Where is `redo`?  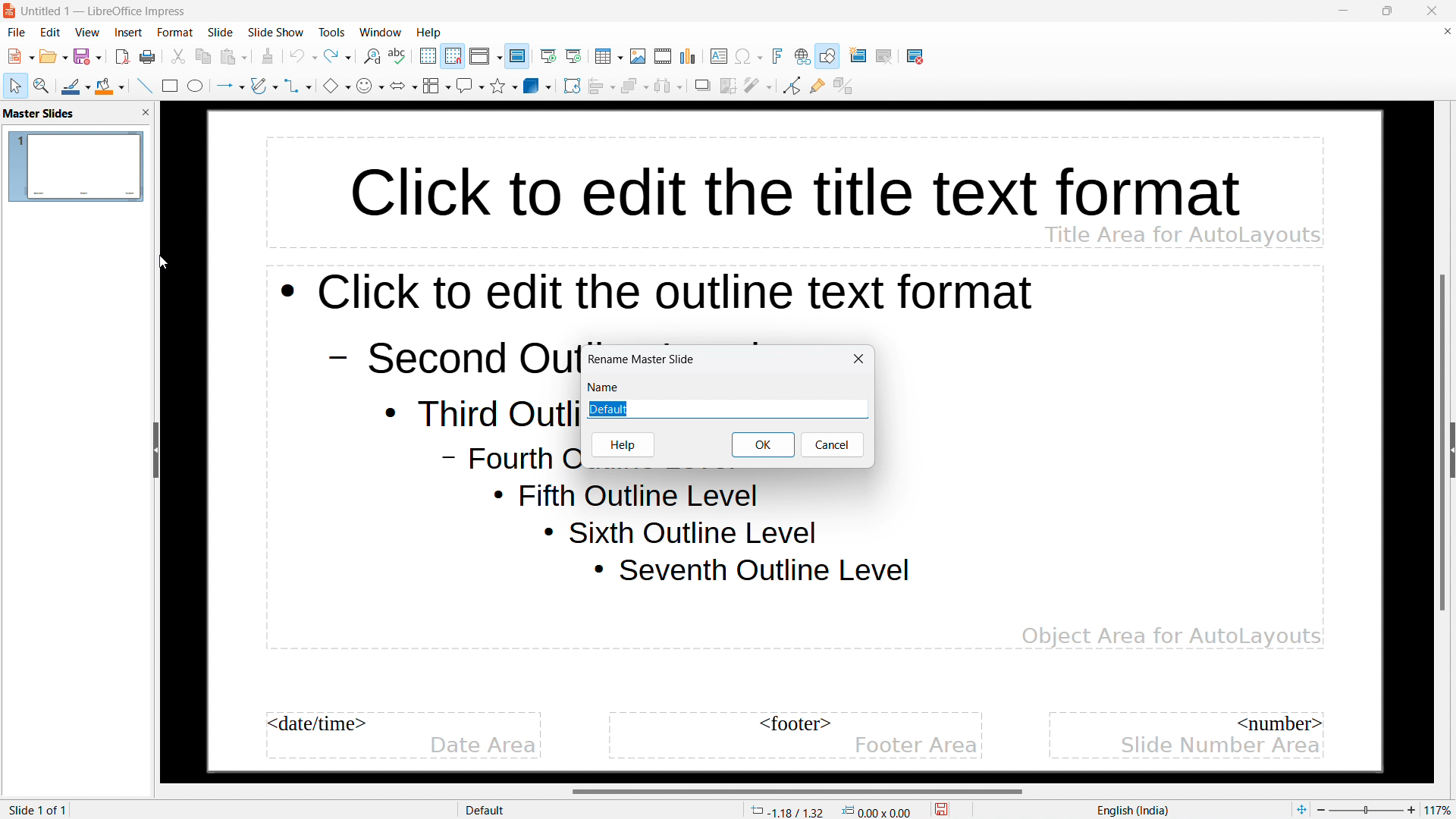 redo is located at coordinates (337, 56).